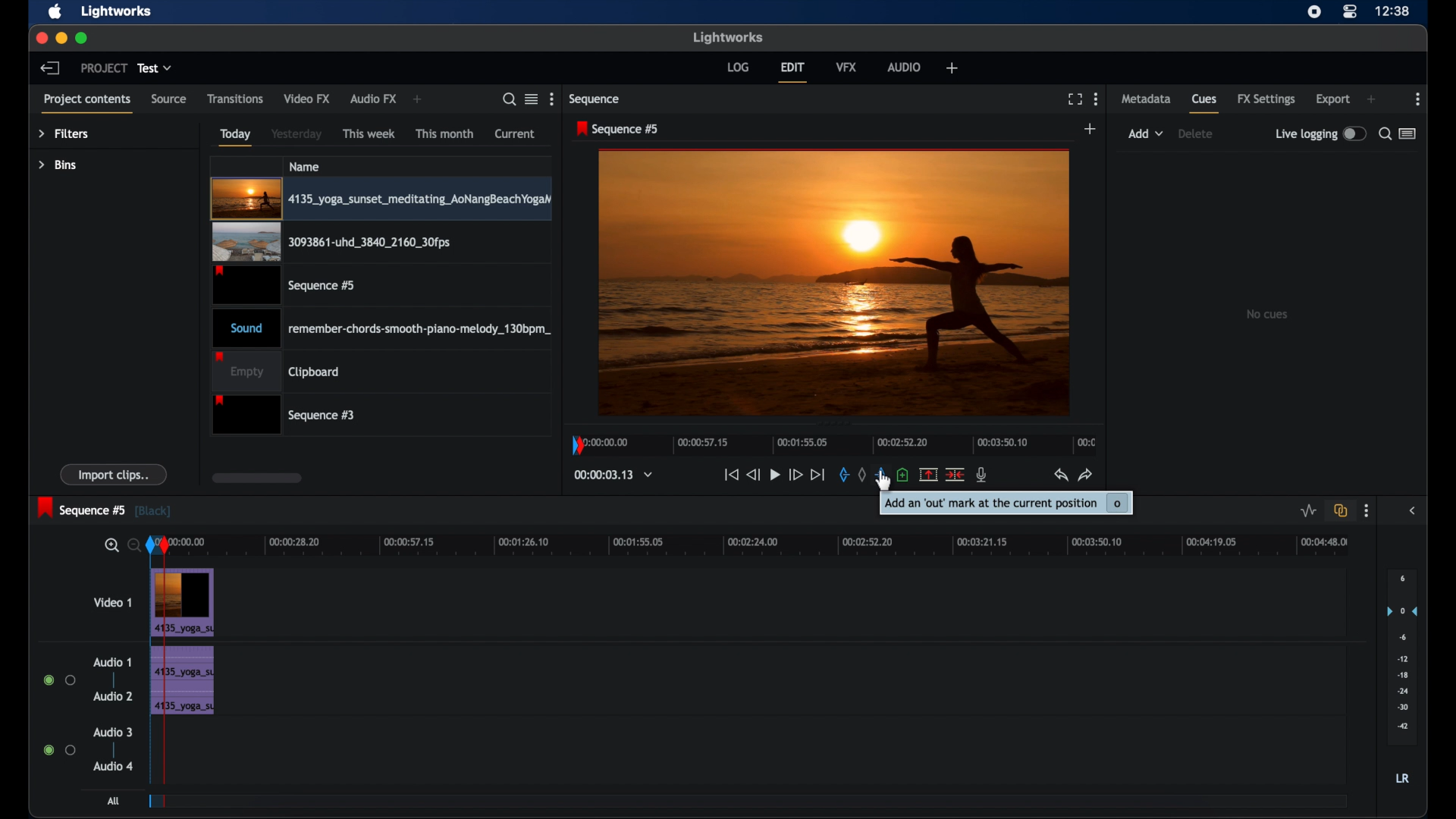 This screenshot has height=819, width=1456. Describe the element at coordinates (798, 544) in the screenshot. I see `timeline scale` at that location.